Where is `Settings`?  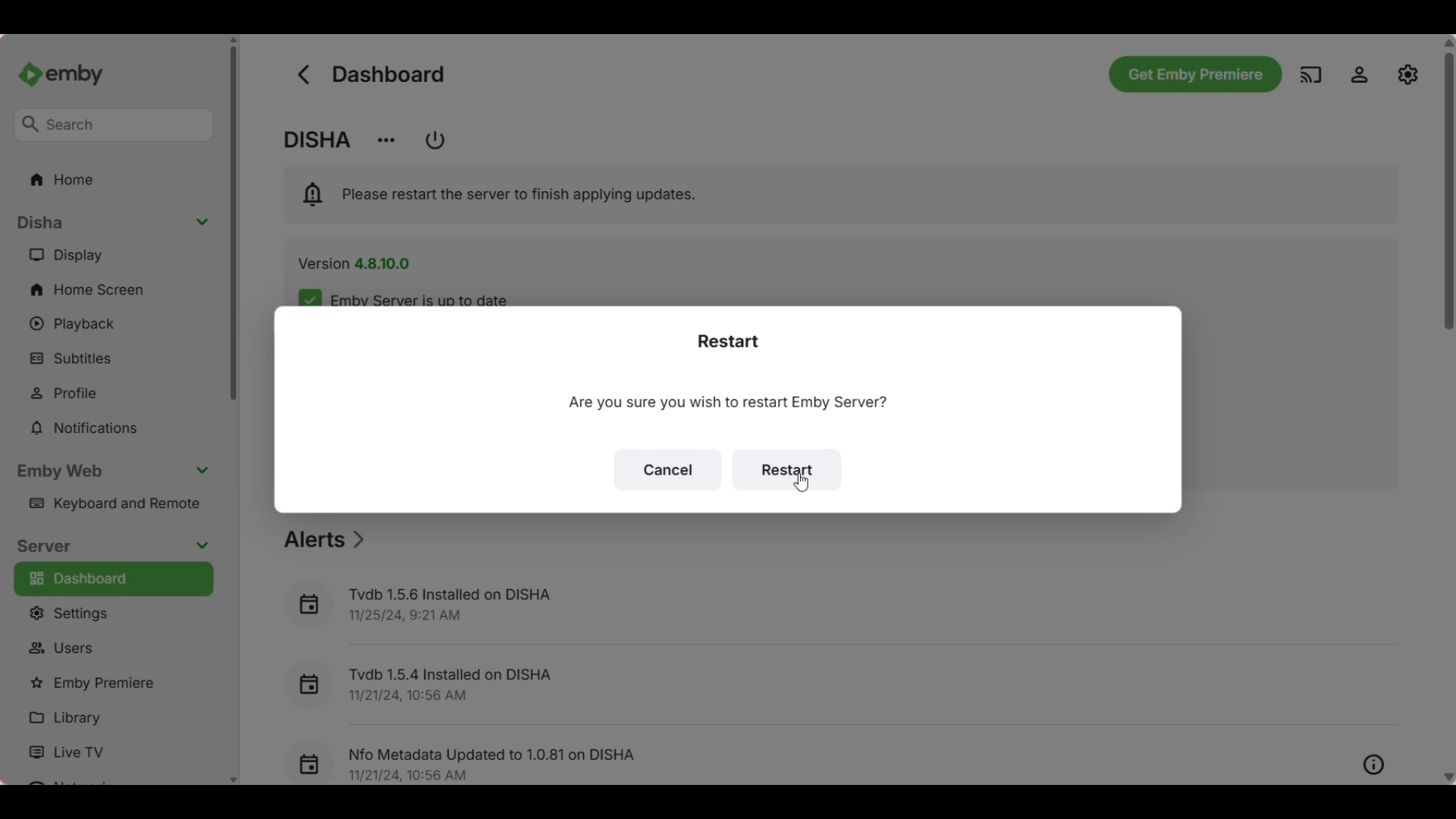 Settings is located at coordinates (112, 613).